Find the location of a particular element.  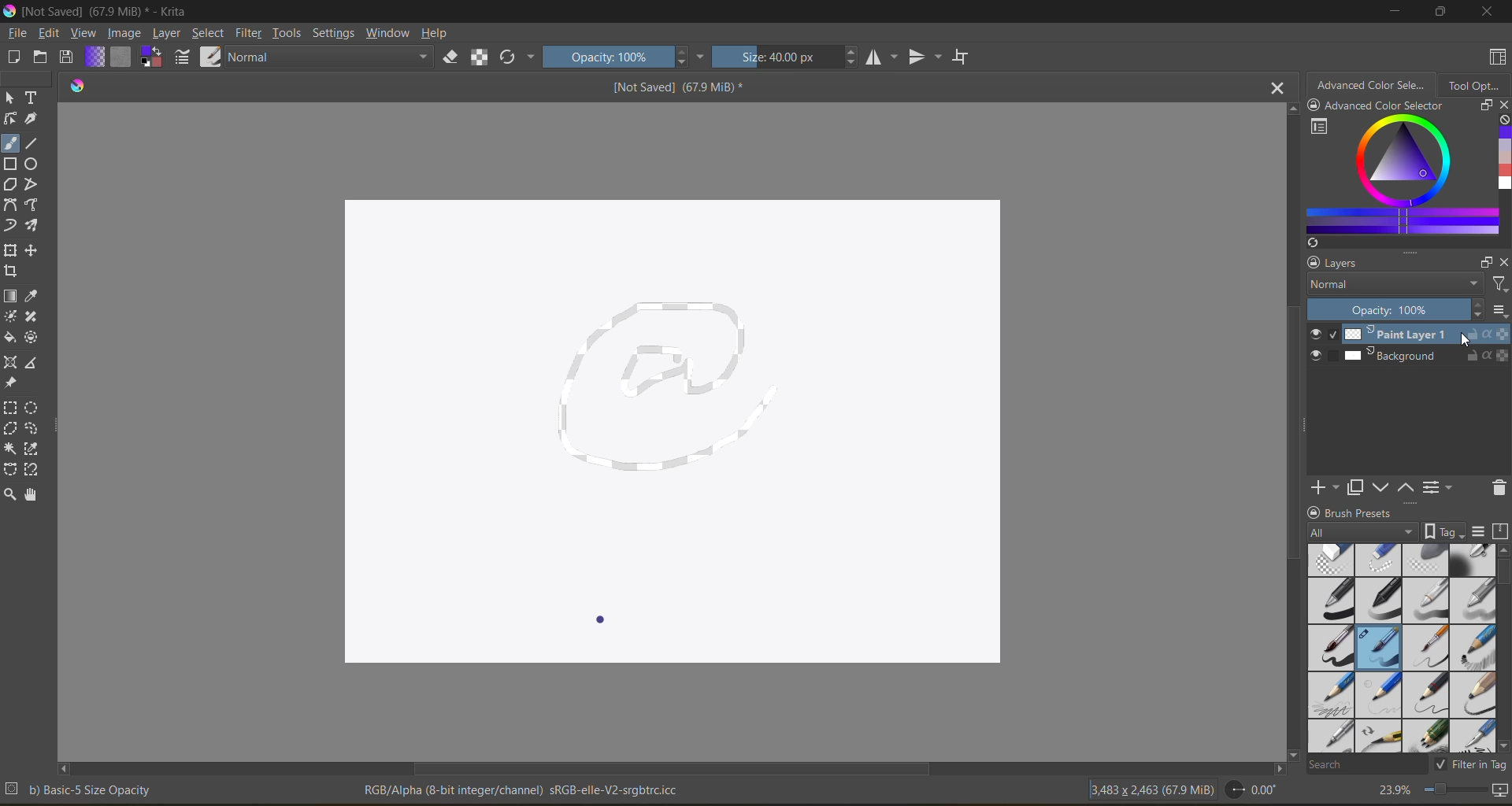

measure distance is located at coordinates (32, 362).